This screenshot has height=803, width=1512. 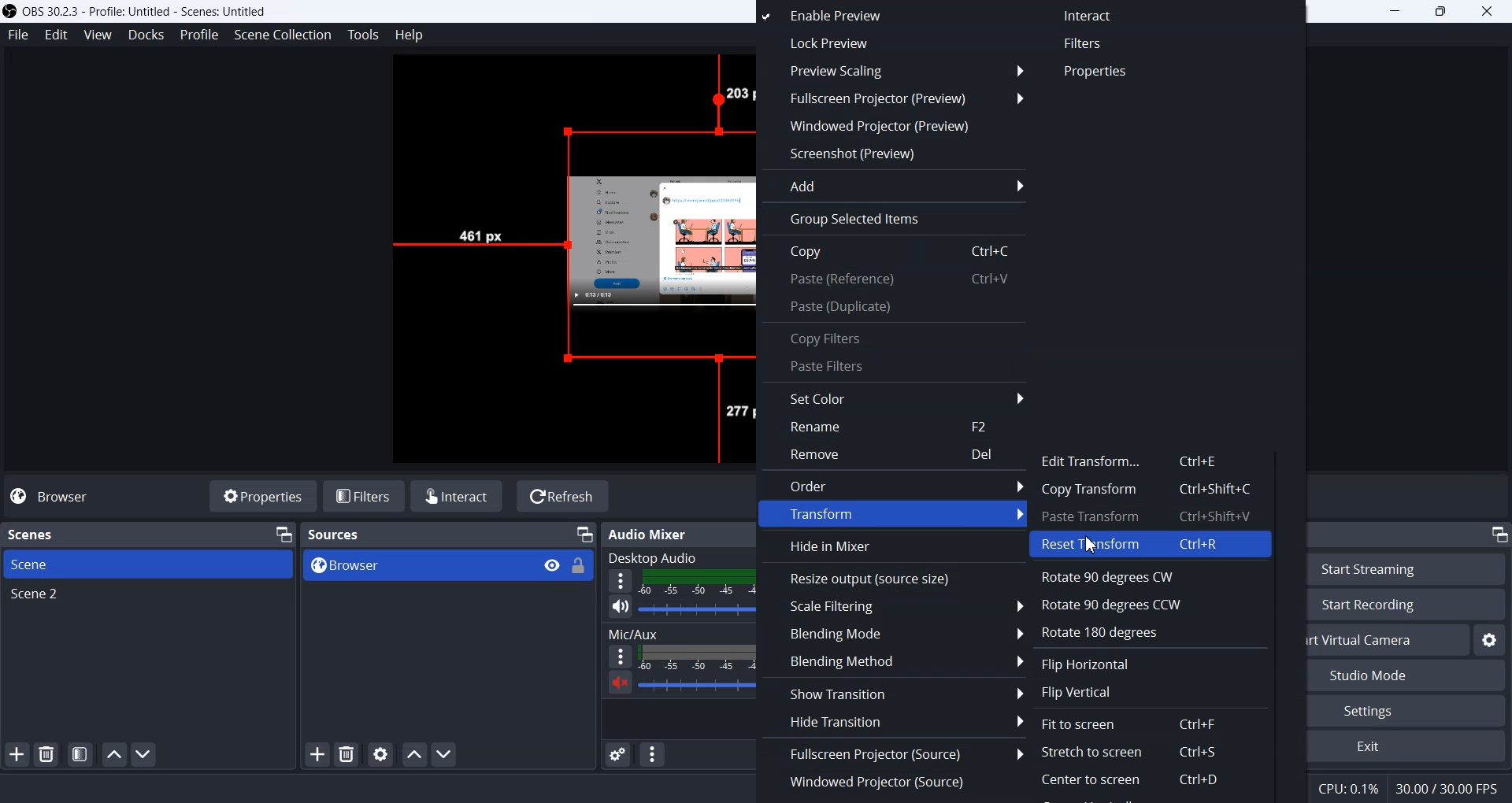 I want to click on Source, so click(x=590, y=235).